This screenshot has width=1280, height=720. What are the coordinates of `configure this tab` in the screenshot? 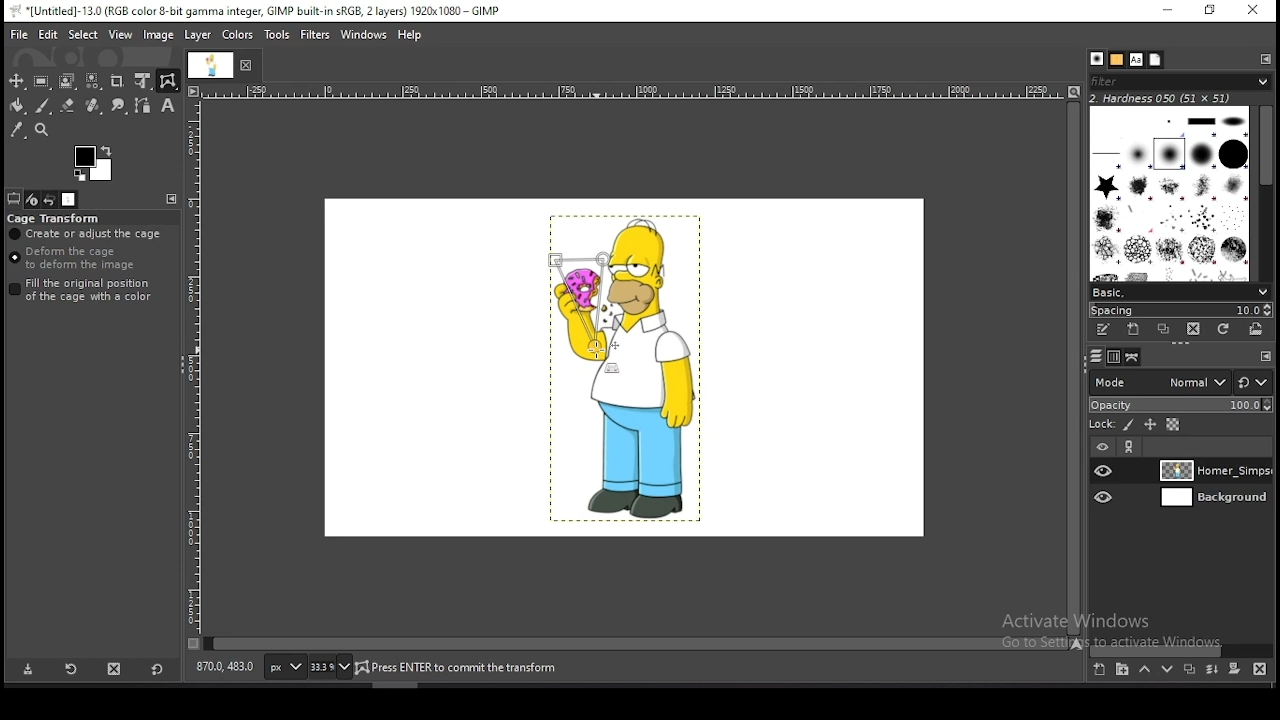 It's located at (1266, 59).